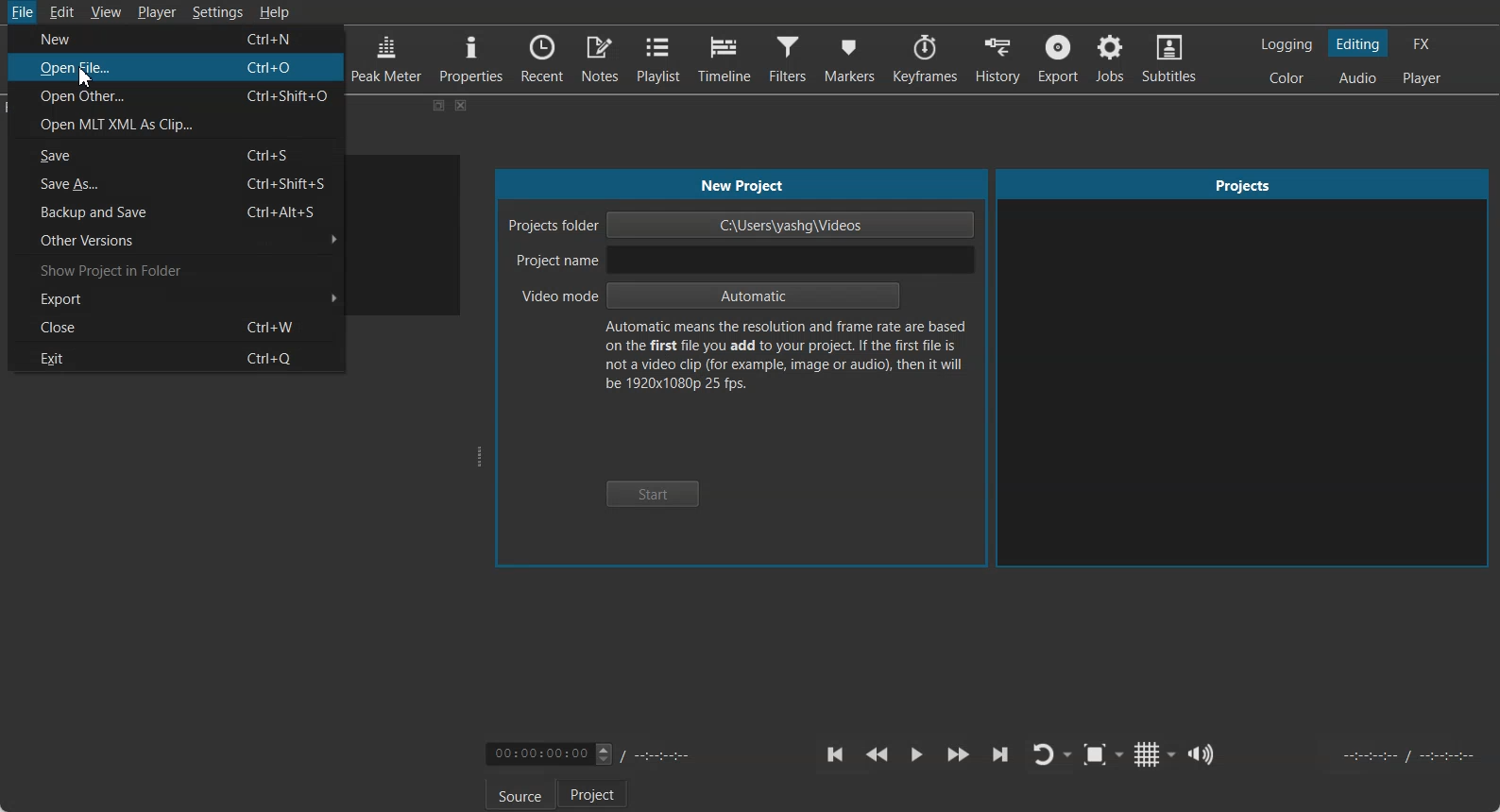 This screenshot has height=812, width=1500. I want to click on Export, so click(181, 298).